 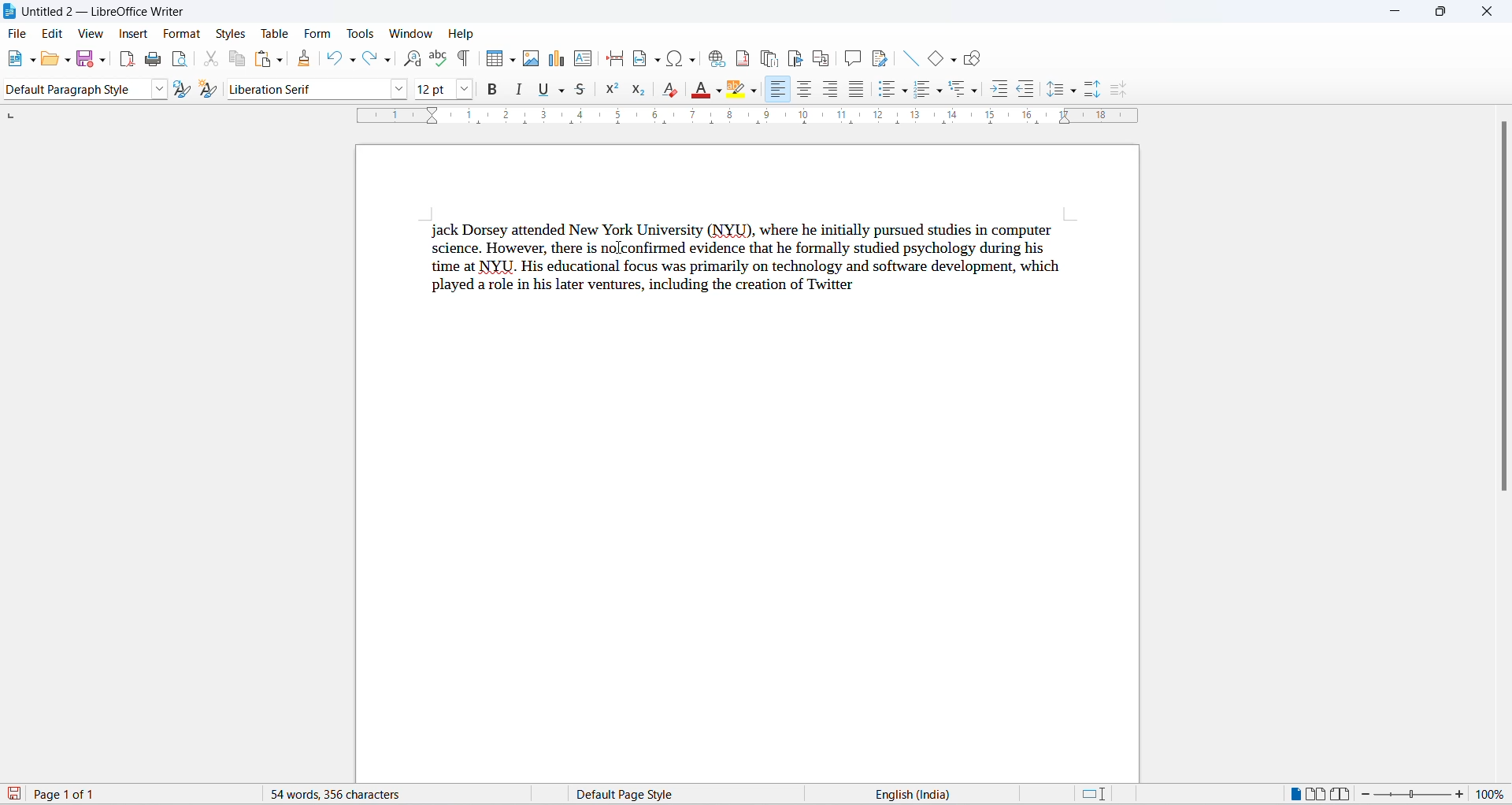 What do you see at coordinates (980, 94) in the screenshot?
I see `select outline options` at bounding box center [980, 94].